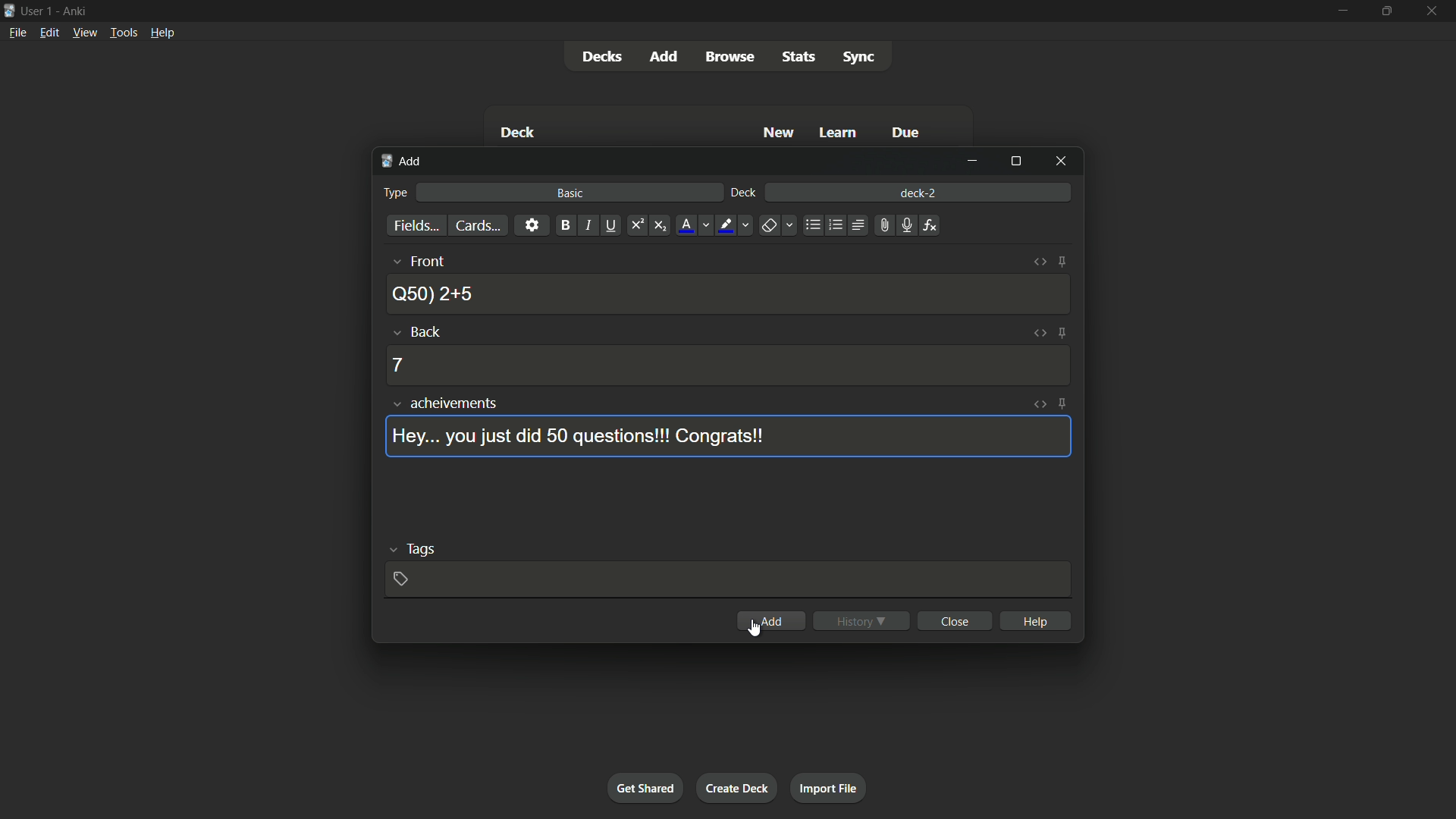 Image resolution: width=1456 pixels, height=819 pixels. What do you see at coordinates (661, 225) in the screenshot?
I see `subscript` at bounding box center [661, 225].